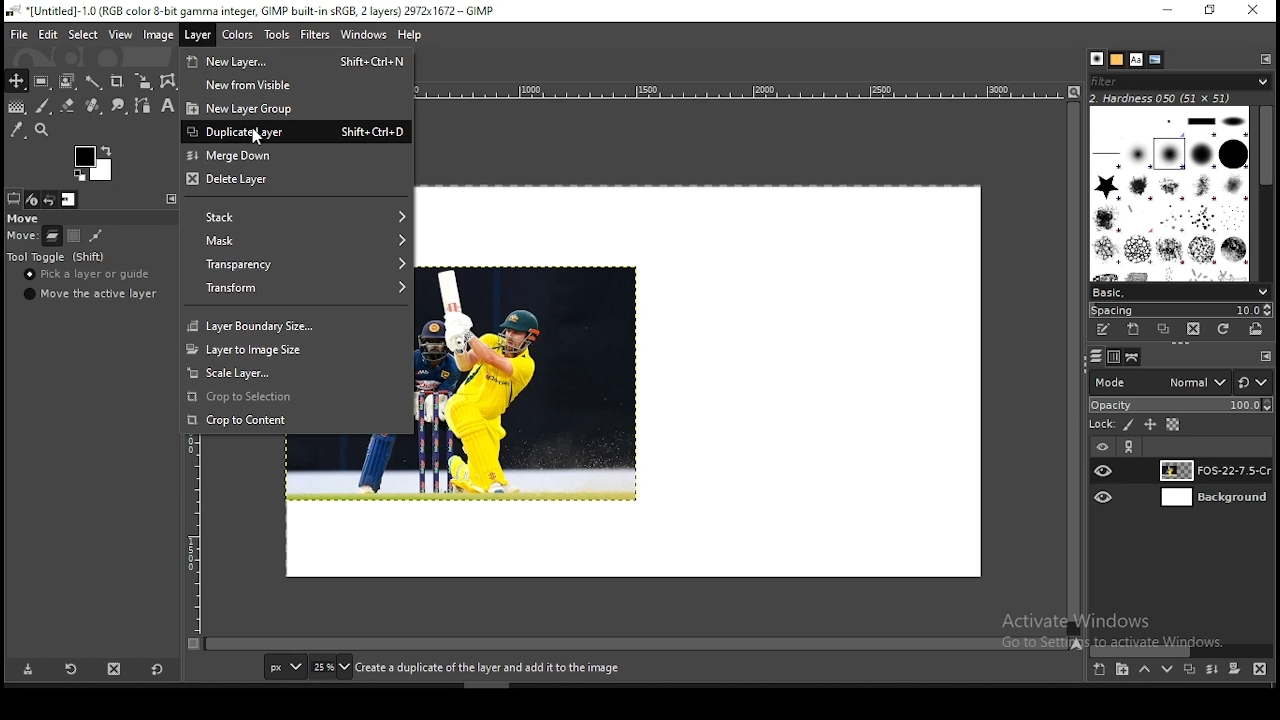 Image resolution: width=1280 pixels, height=720 pixels. What do you see at coordinates (1134, 357) in the screenshot?
I see `paths` at bounding box center [1134, 357].